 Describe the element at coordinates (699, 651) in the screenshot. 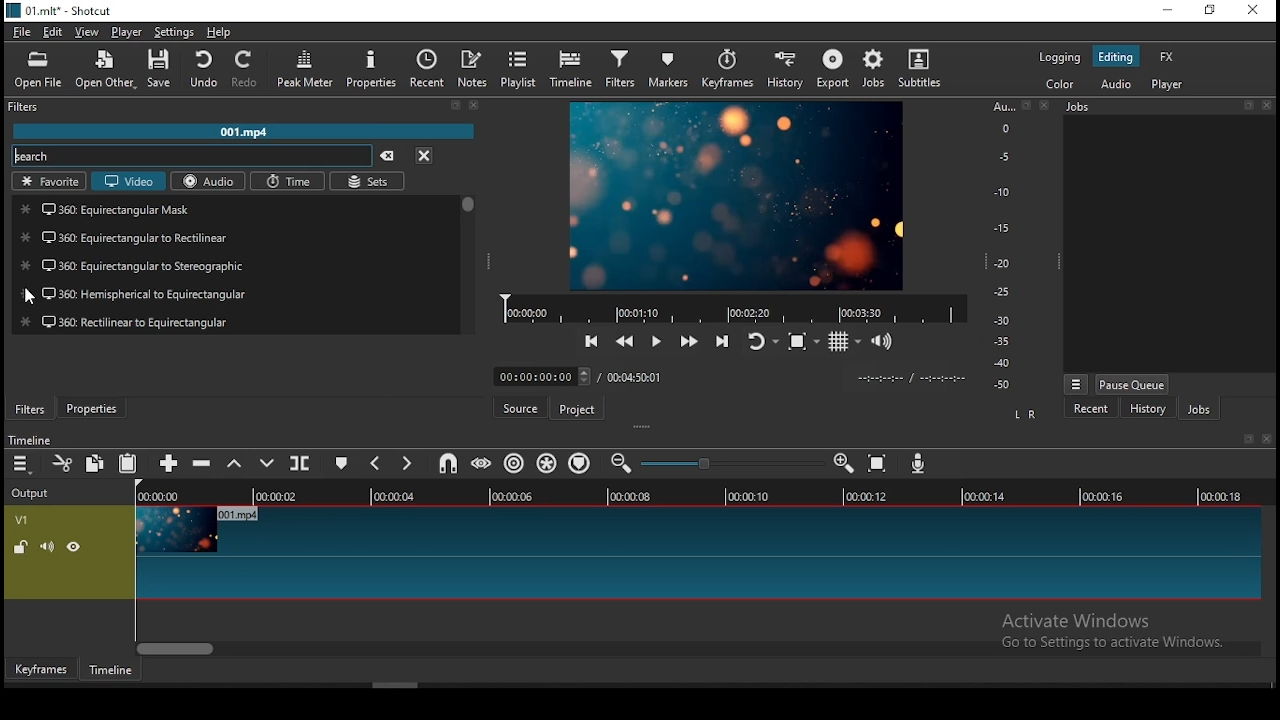

I see `scroll bar` at that location.